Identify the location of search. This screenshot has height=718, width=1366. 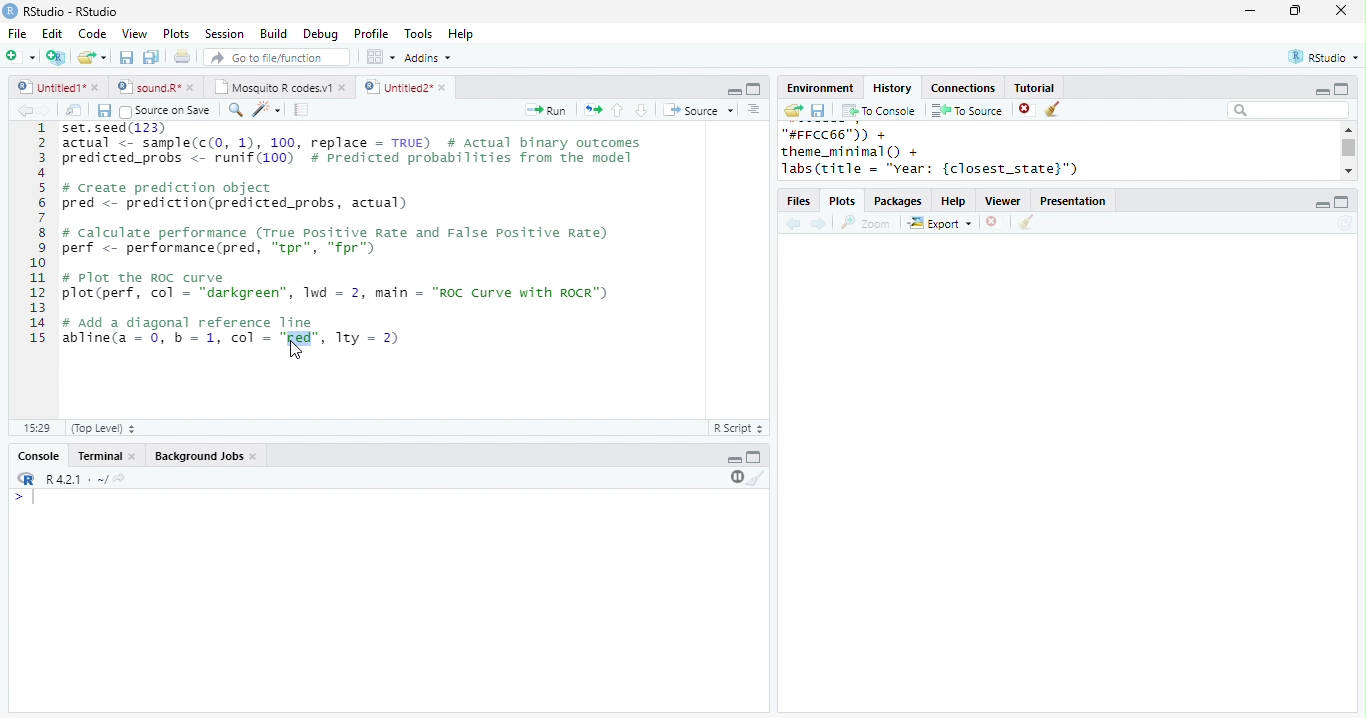
(236, 110).